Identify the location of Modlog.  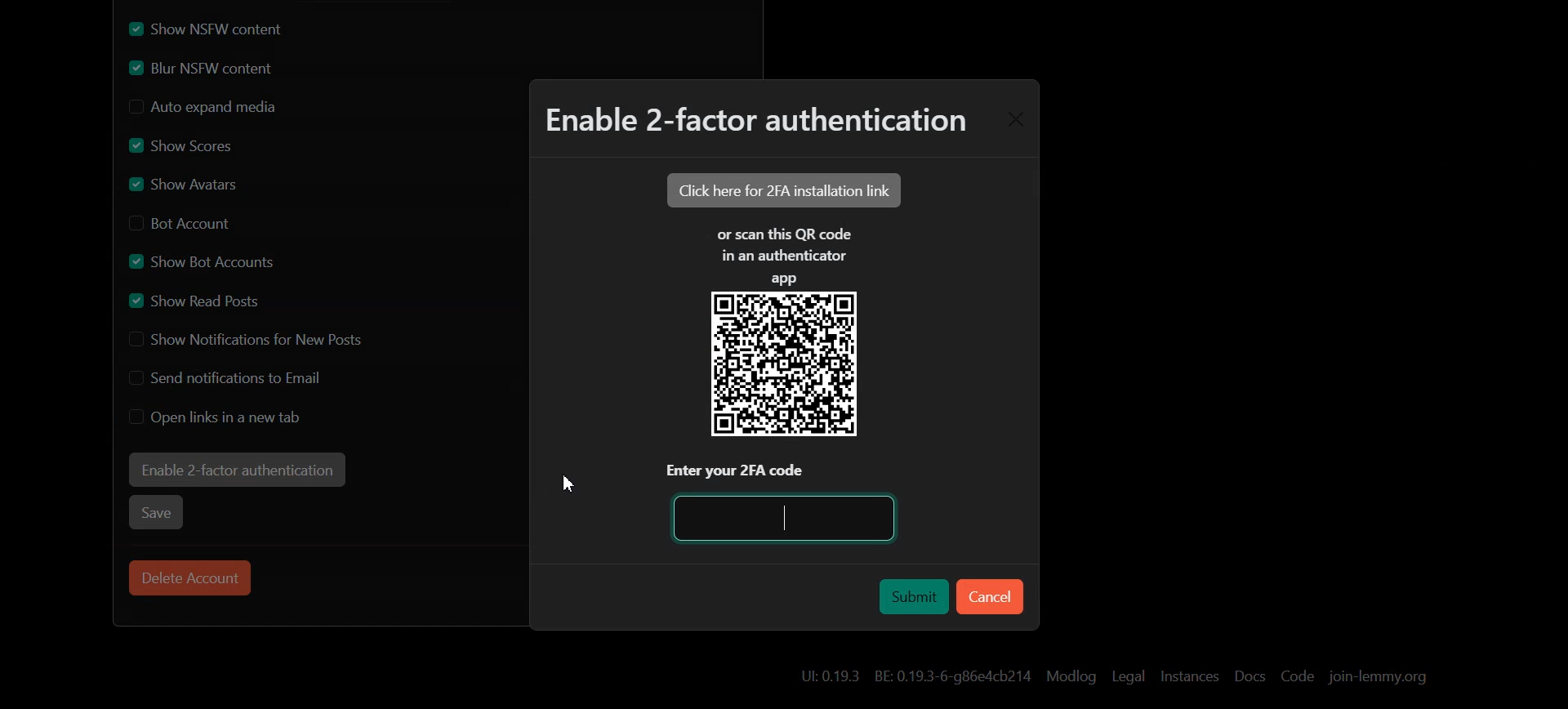
(1071, 676).